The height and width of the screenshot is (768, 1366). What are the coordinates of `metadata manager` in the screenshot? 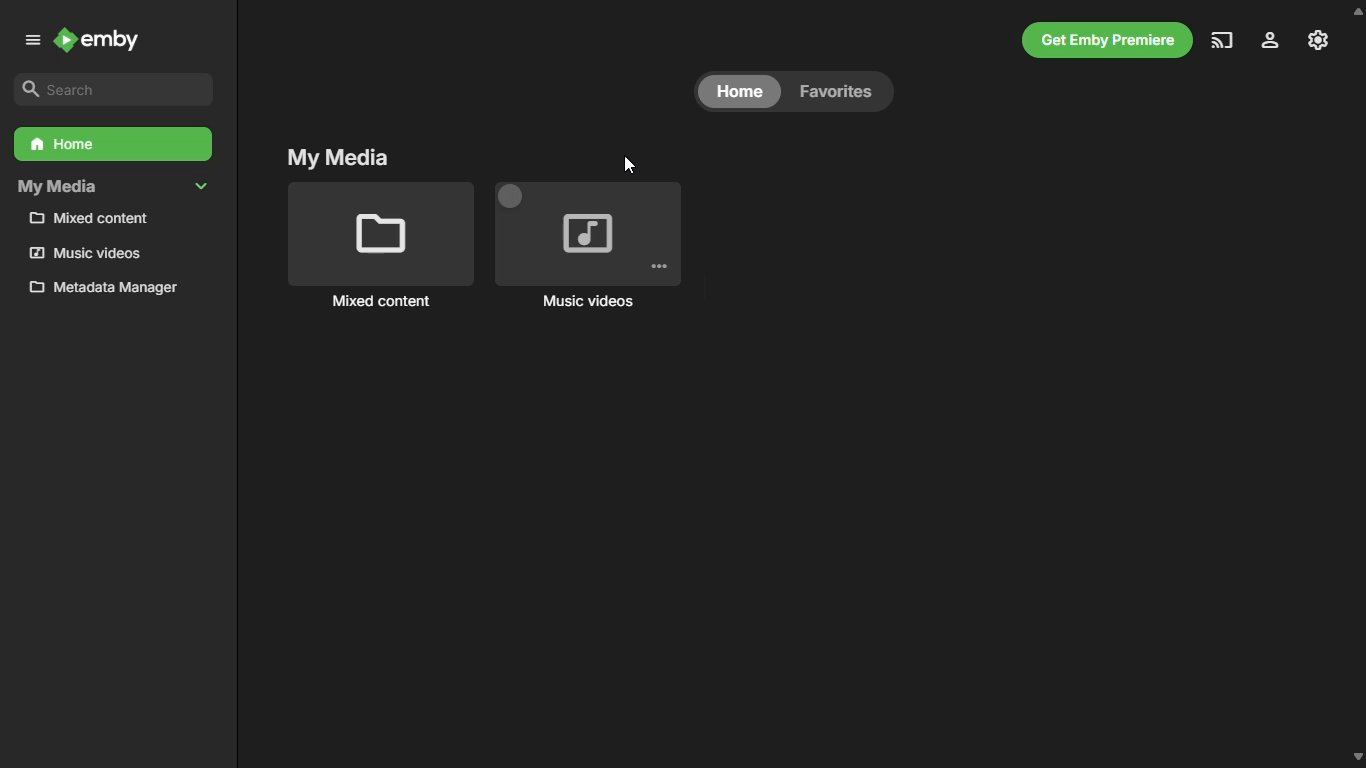 It's located at (102, 287).